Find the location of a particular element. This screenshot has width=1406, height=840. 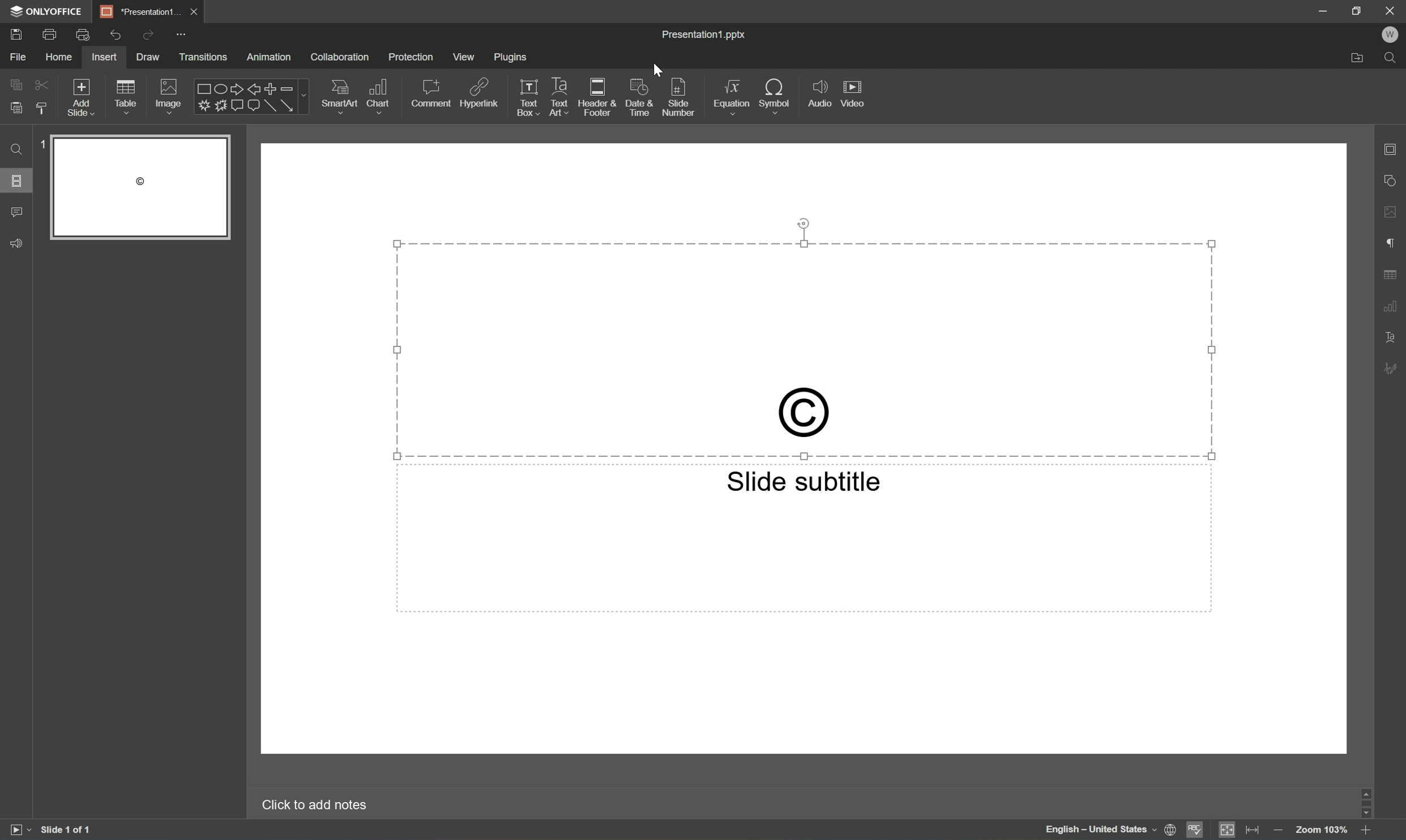

1 is located at coordinates (41, 143).